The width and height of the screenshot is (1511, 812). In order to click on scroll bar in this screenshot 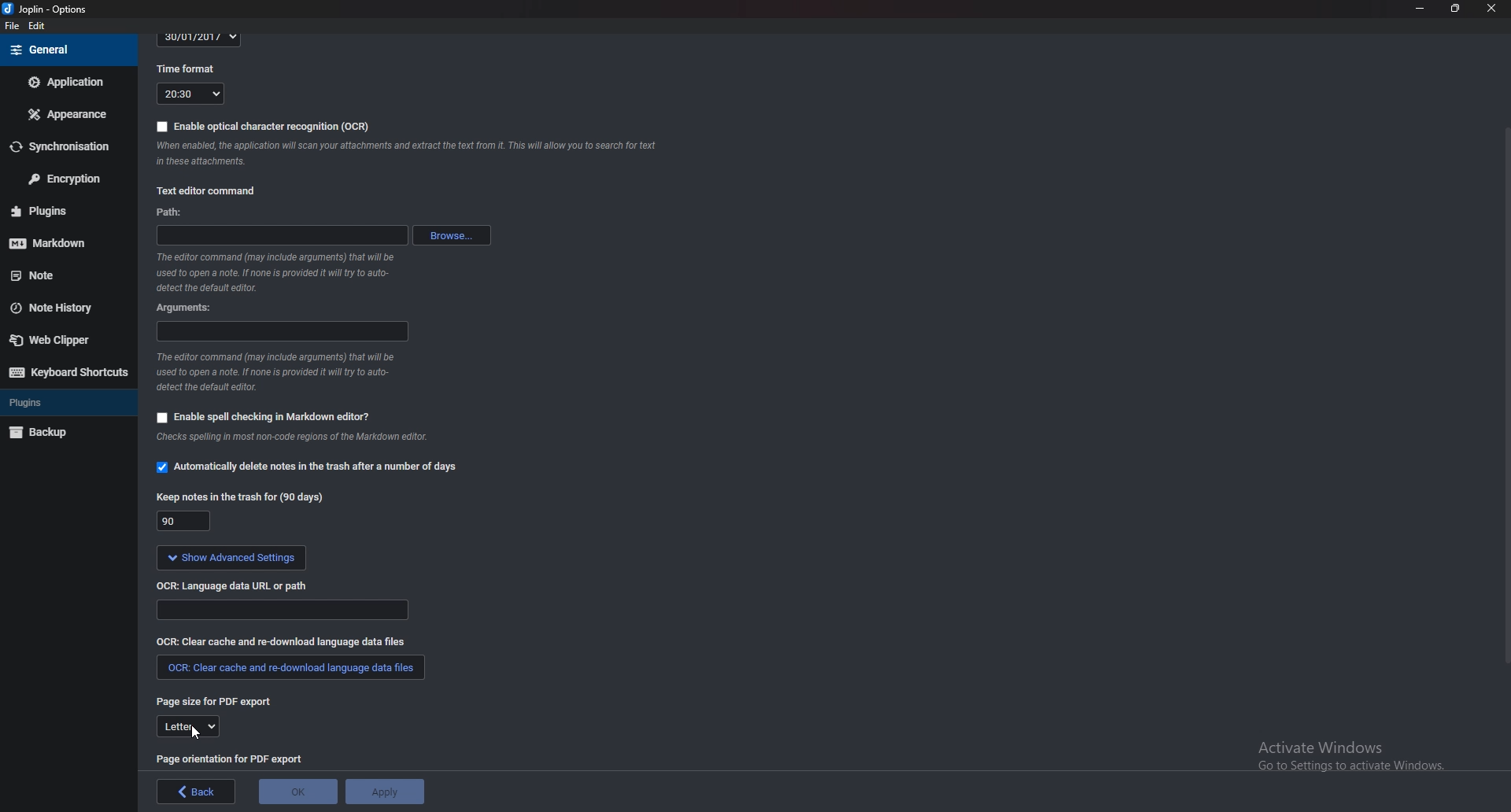, I will do `click(1505, 394)`.